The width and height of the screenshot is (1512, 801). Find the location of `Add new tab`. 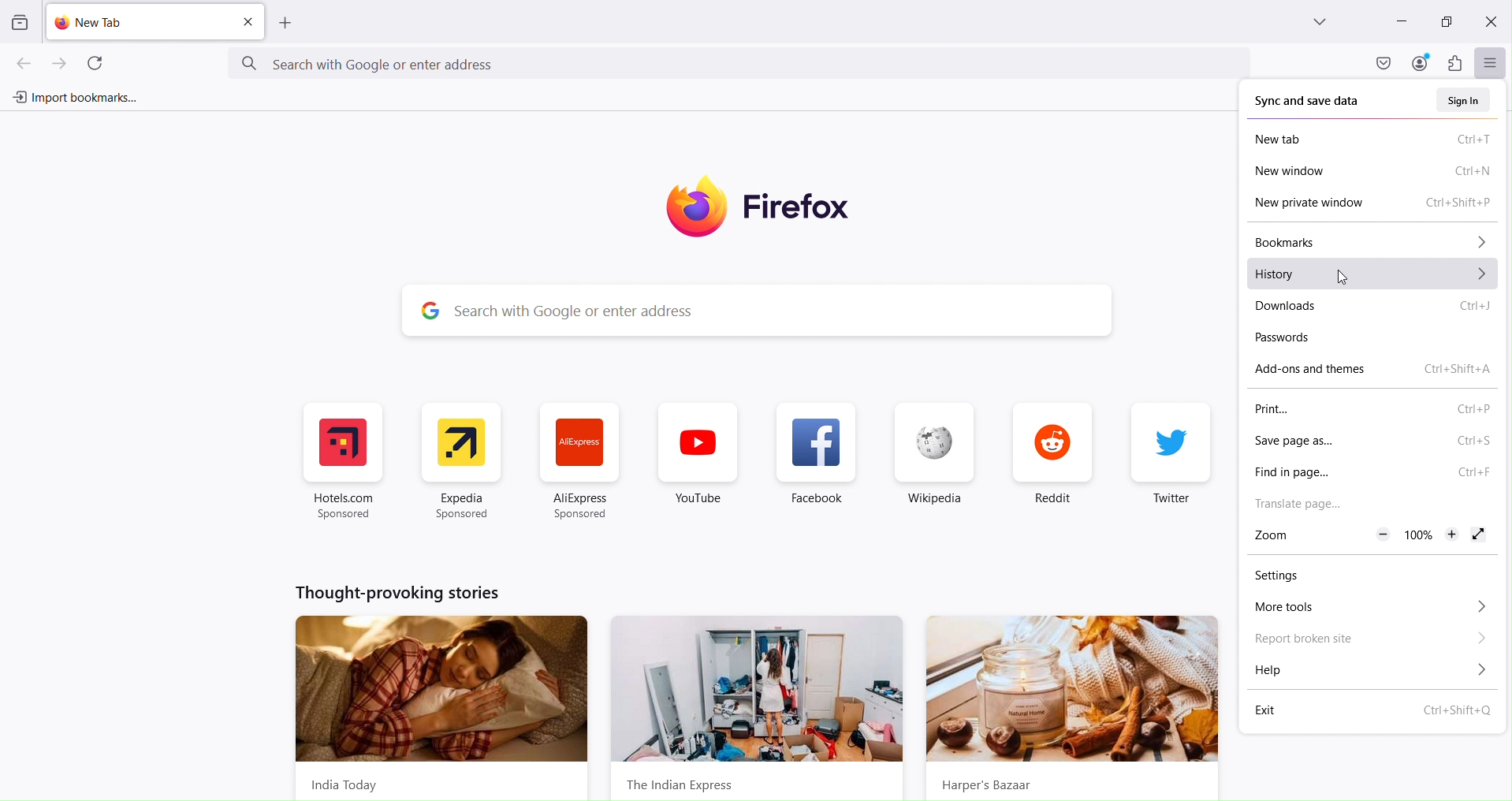

Add new tab is located at coordinates (140, 22).